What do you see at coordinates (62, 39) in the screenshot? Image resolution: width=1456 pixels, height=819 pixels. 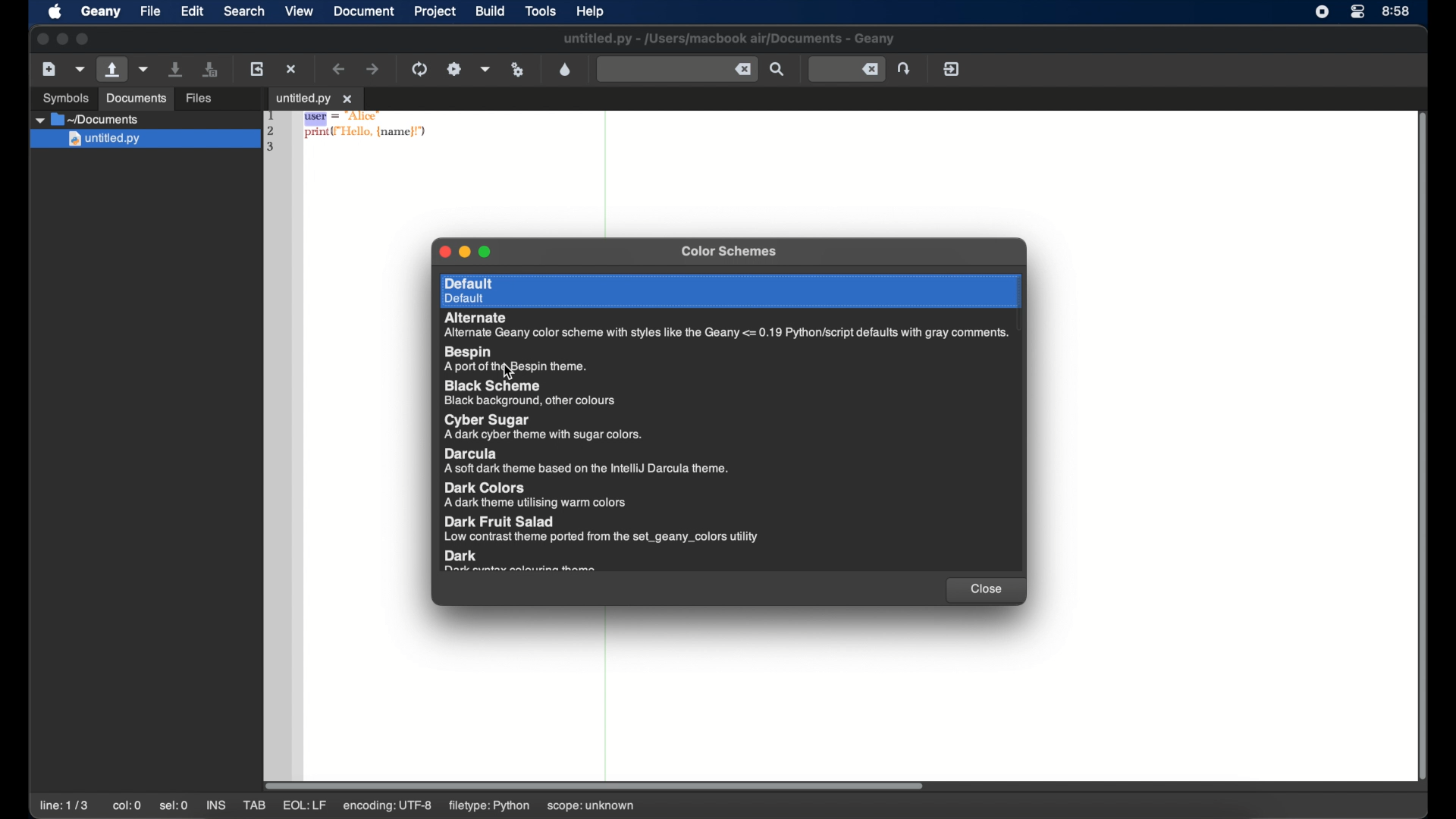 I see `minimize` at bounding box center [62, 39].